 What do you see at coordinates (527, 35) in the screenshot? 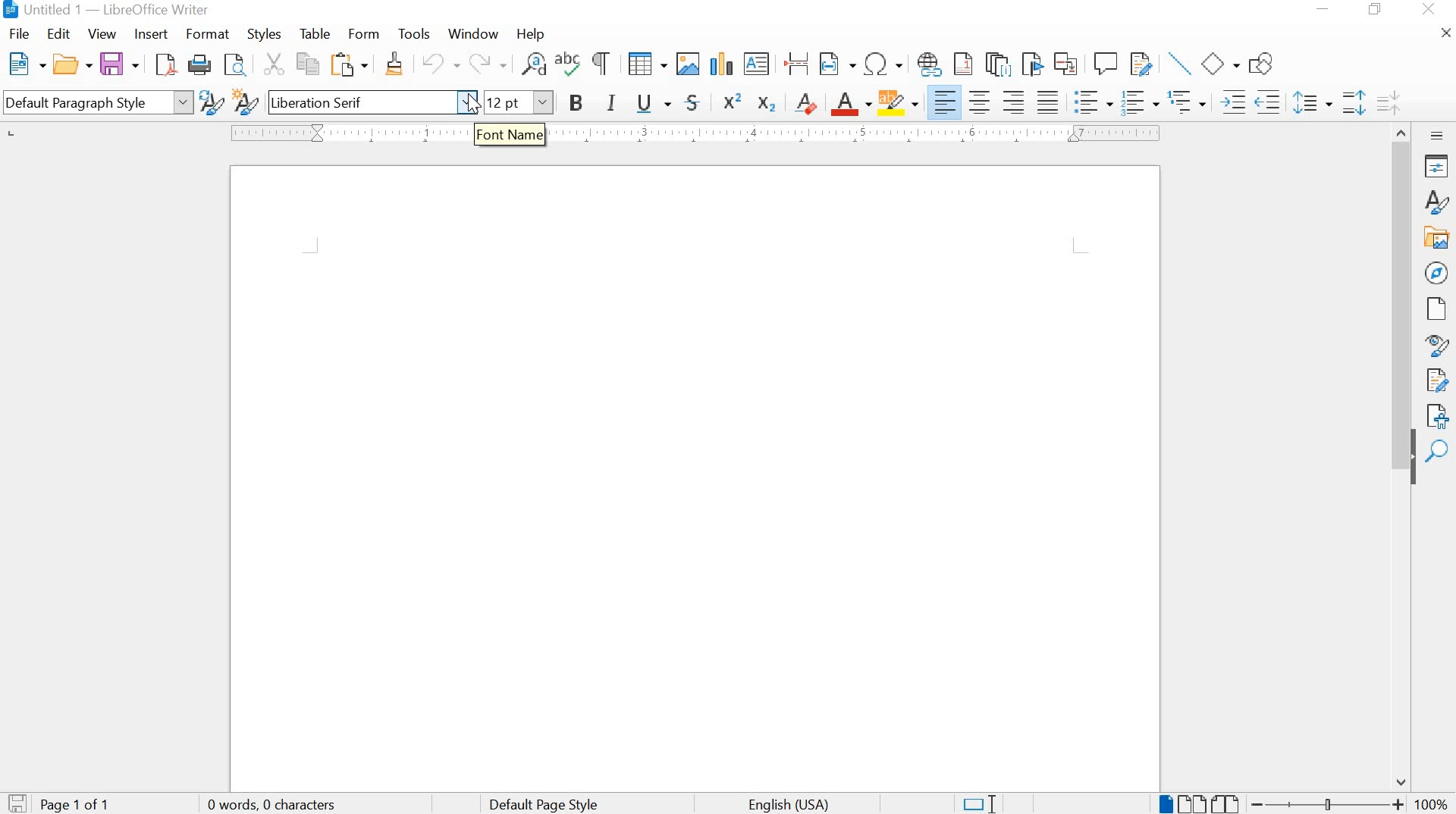
I see `HELP` at bounding box center [527, 35].